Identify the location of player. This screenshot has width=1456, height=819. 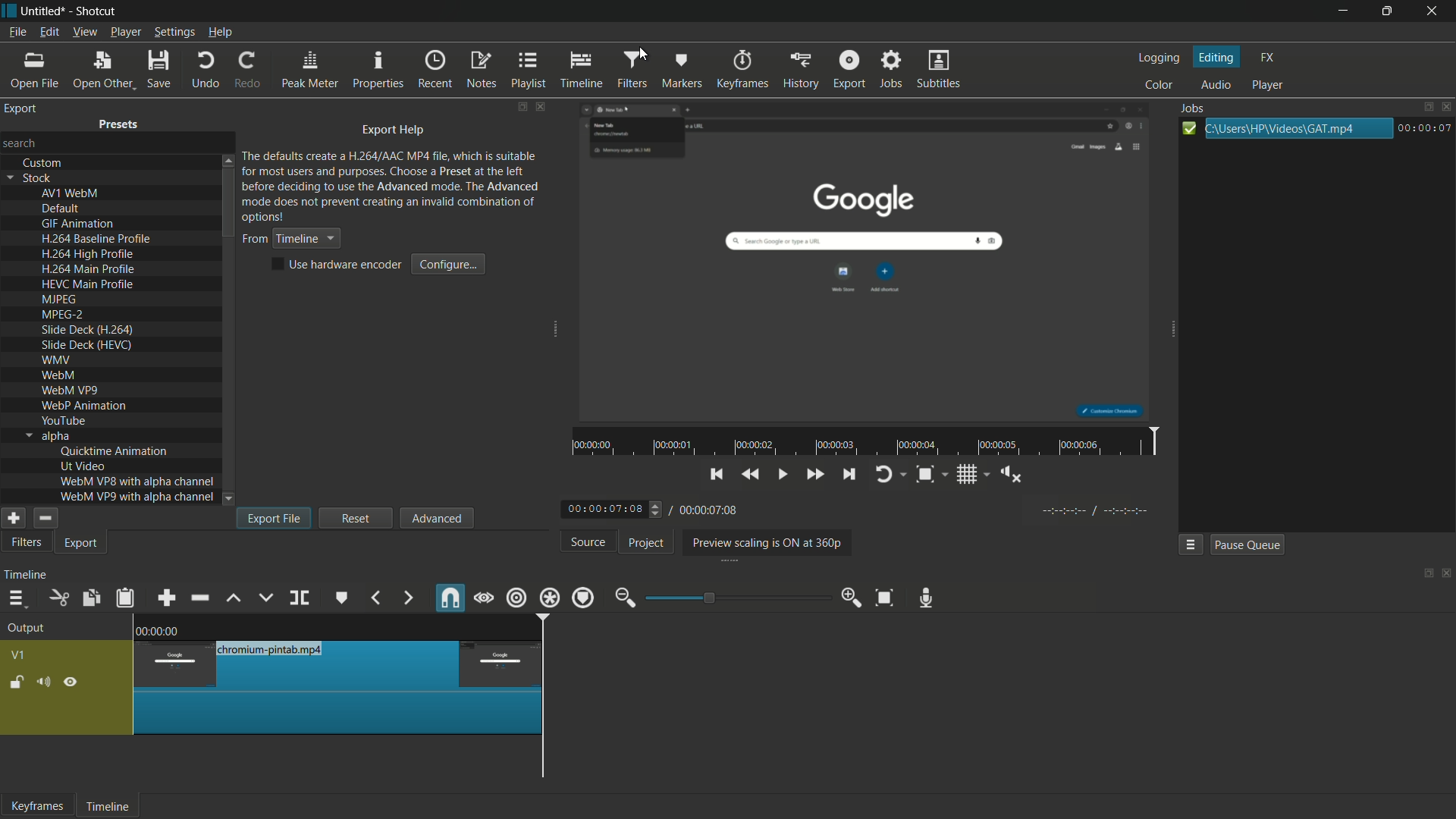
(1268, 83).